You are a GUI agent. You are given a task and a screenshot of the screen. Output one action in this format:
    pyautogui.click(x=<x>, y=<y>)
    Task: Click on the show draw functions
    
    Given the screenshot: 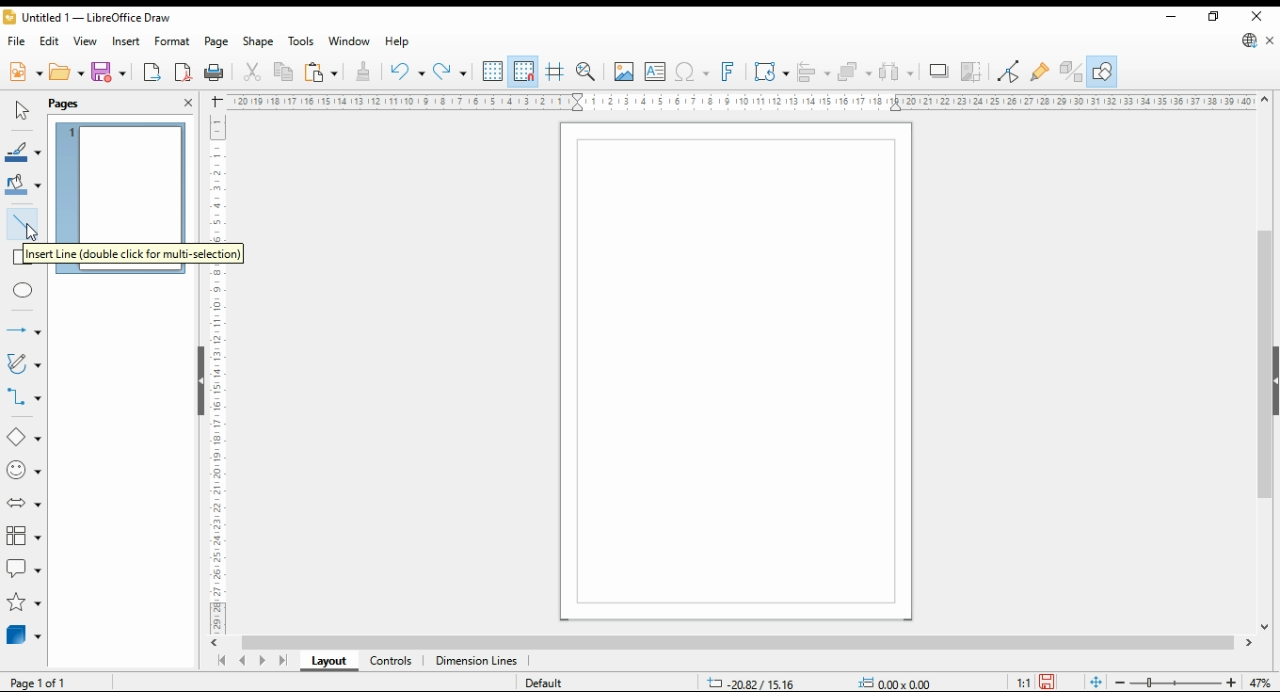 What is the action you would take?
    pyautogui.click(x=1102, y=72)
    